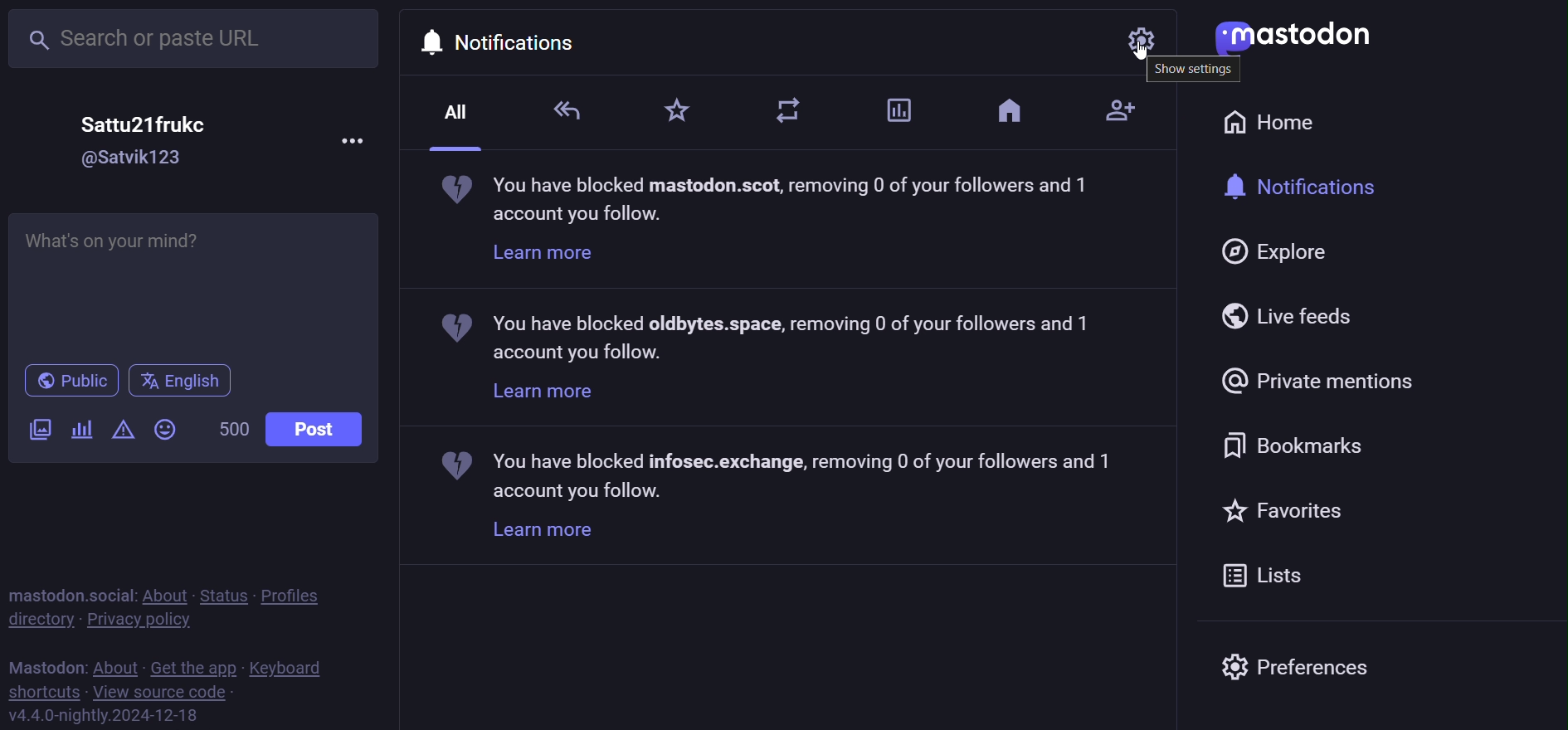 The width and height of the screenshot is (1568, 730). What do you see at coordinates (144, 123) in the screenshot?
I see `Sattu21frukc` at bounding box center [144, 123].